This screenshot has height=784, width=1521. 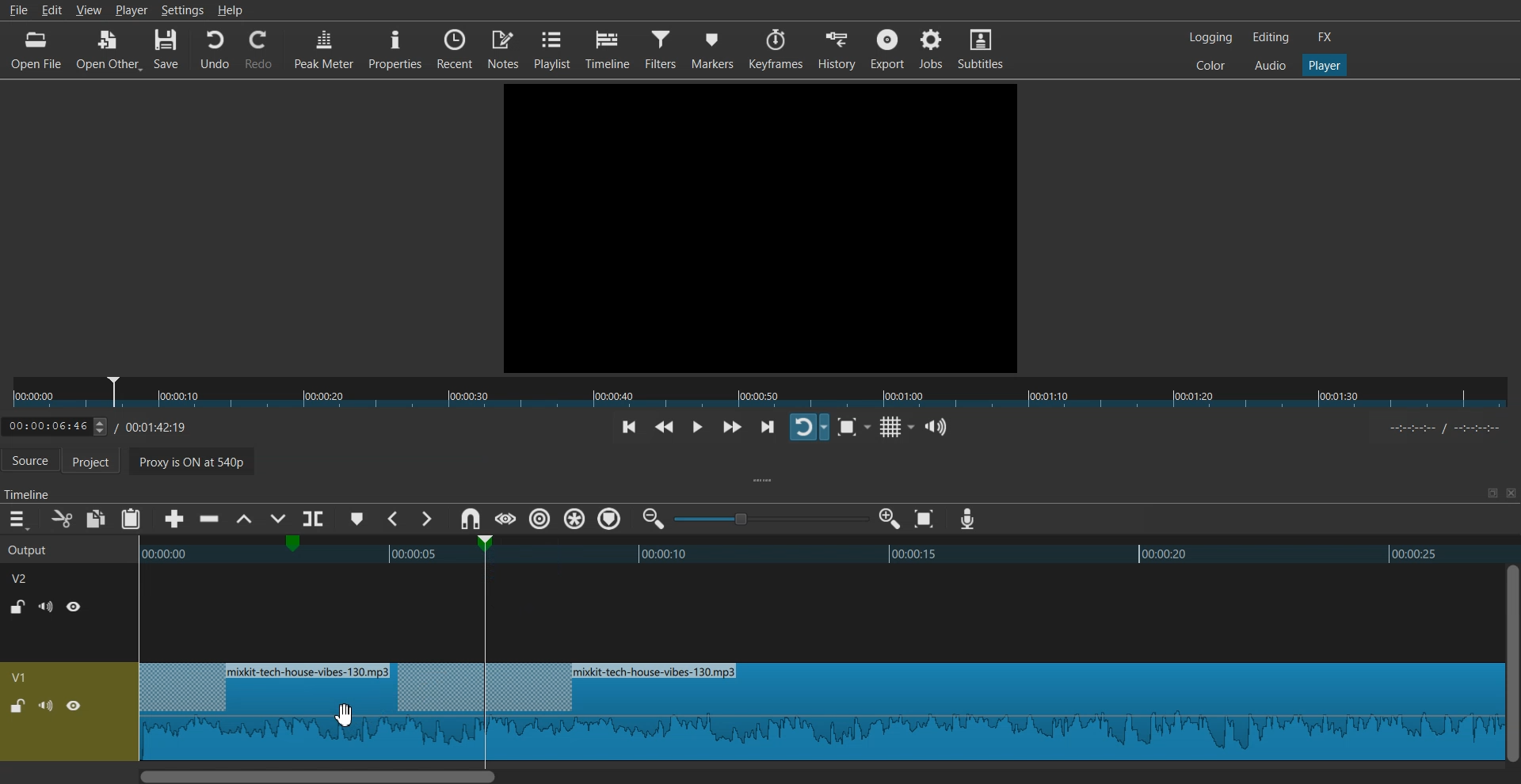 I want to click on Lock / UnLock, so click(x=17, y=706).